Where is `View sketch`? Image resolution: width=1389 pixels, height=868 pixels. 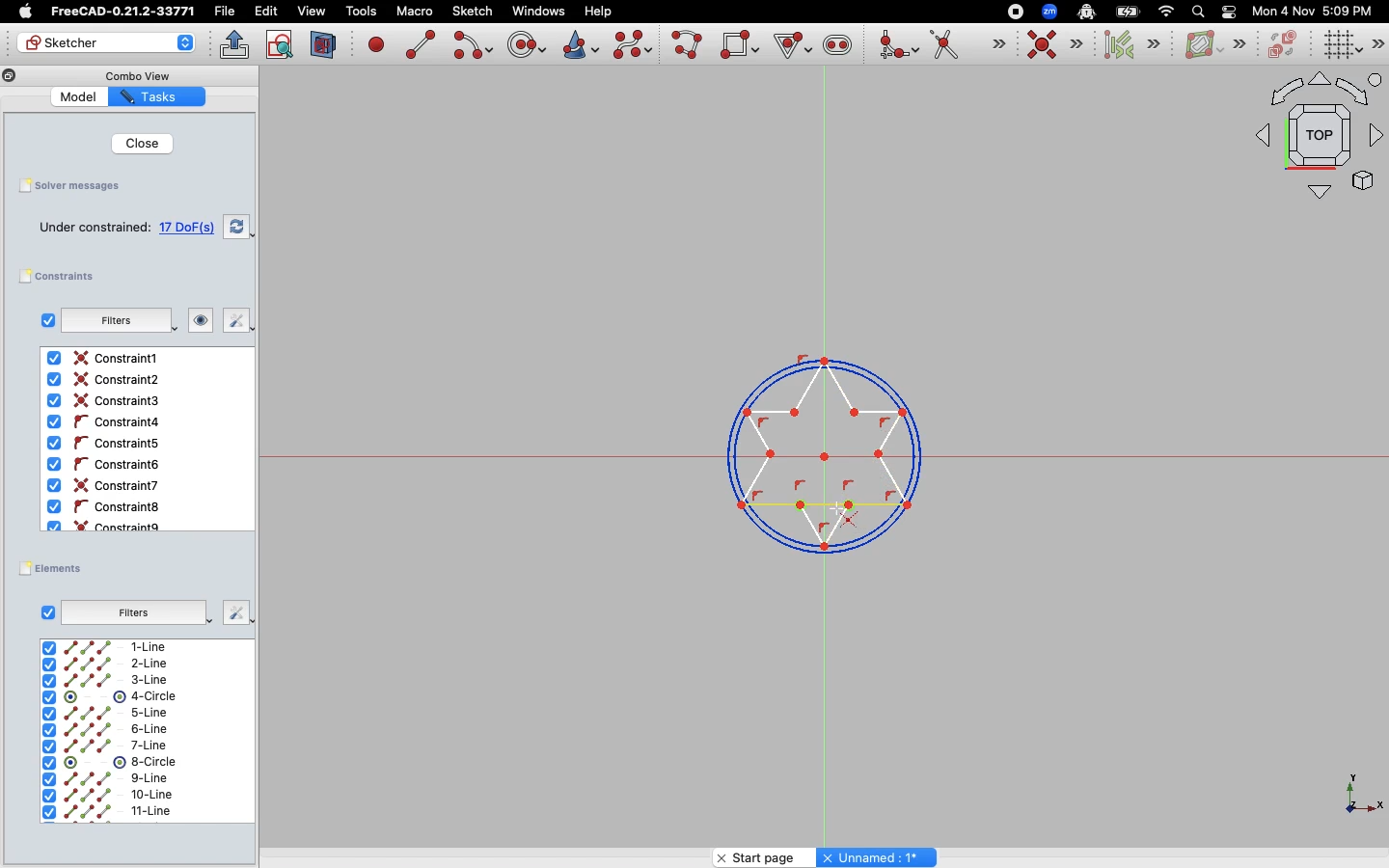
View sketch is located at coordinates (281, 45).